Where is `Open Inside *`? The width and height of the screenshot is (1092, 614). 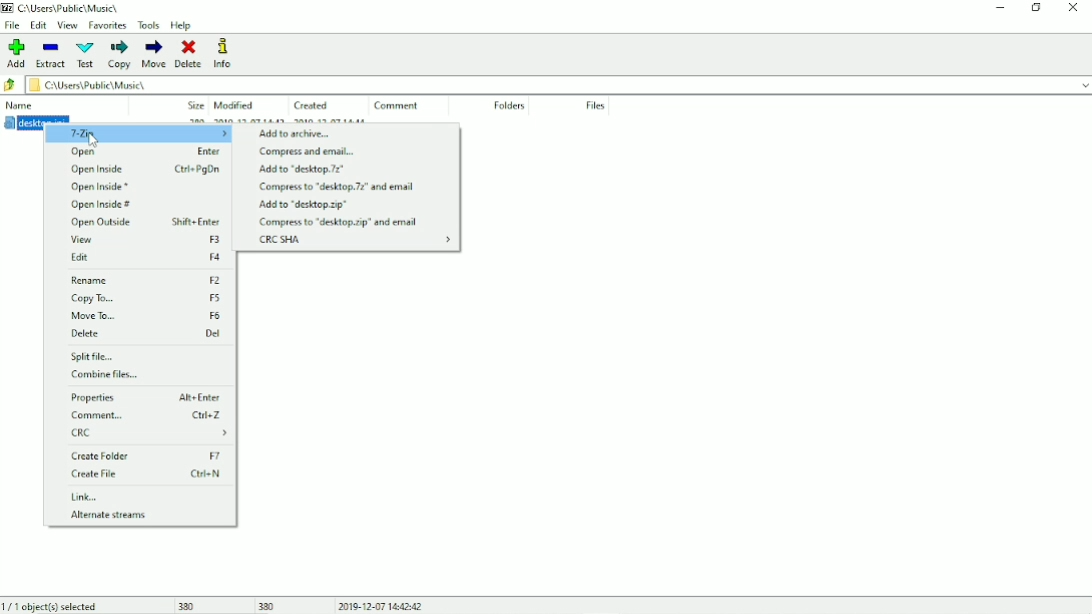 Open Inside * is located at coordinates (100, 186).